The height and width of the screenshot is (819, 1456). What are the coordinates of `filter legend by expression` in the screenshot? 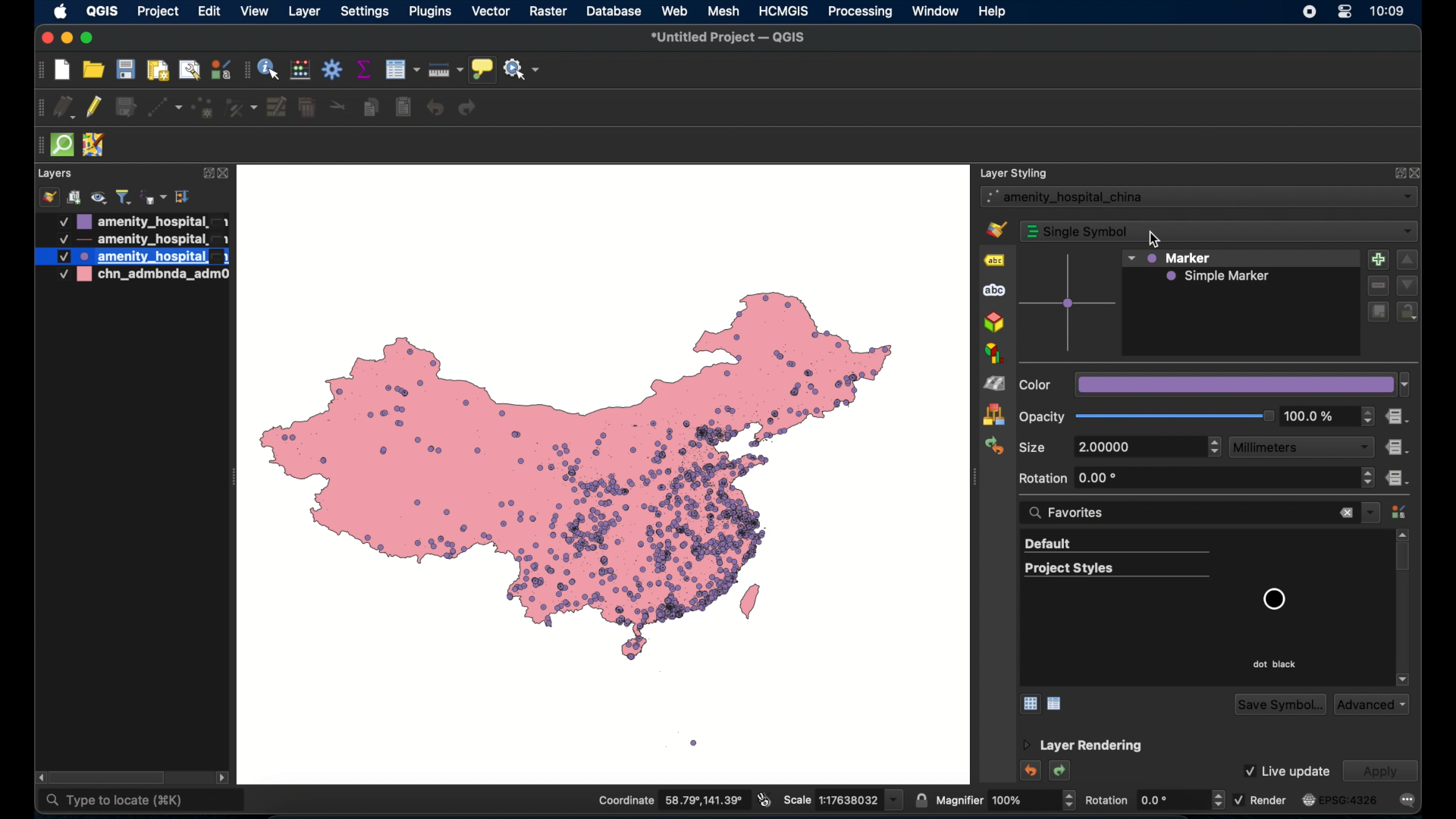 It's located at (152, 197).